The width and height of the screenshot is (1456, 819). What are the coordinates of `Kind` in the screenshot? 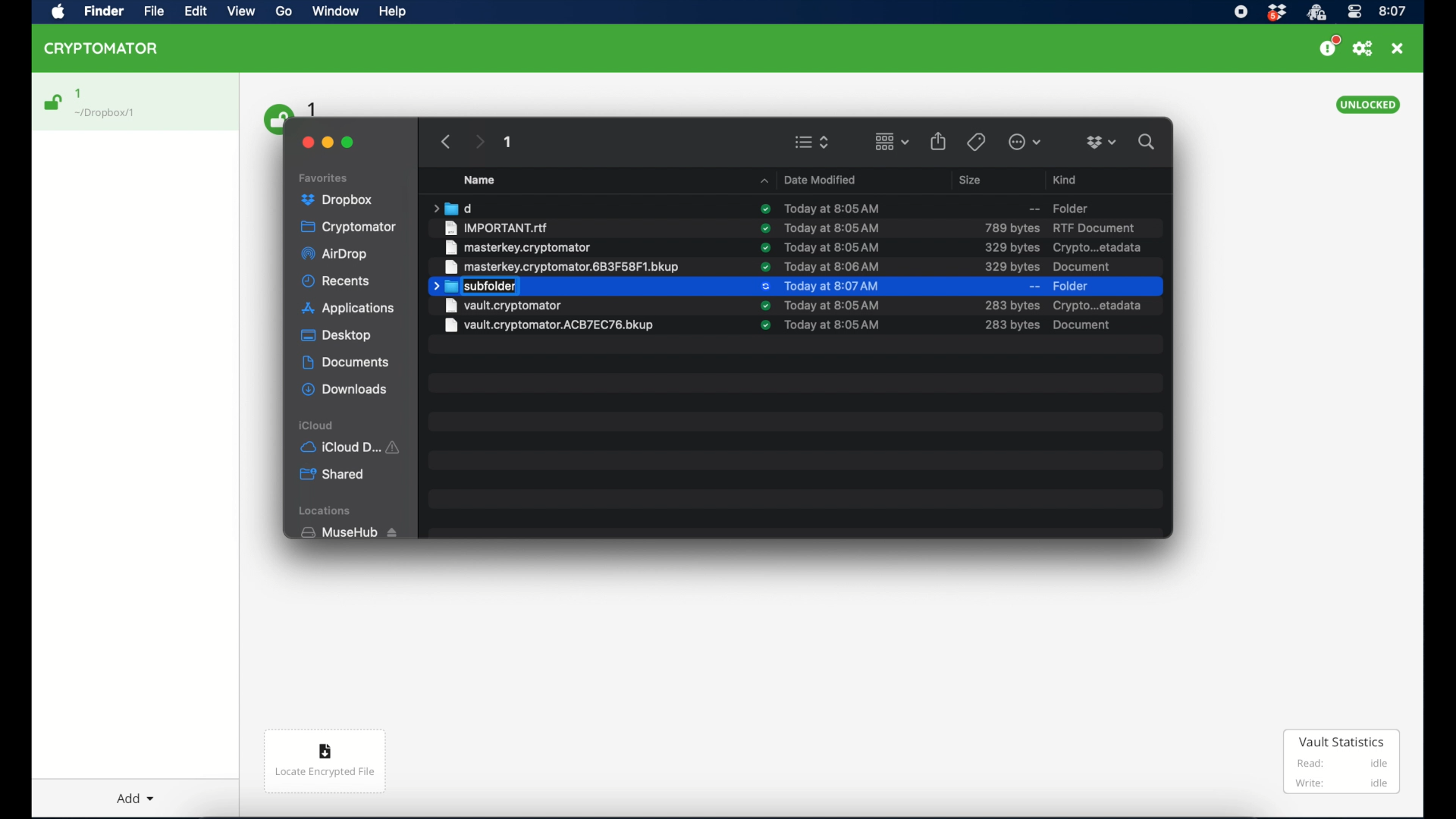 It's located at (1067, 177).